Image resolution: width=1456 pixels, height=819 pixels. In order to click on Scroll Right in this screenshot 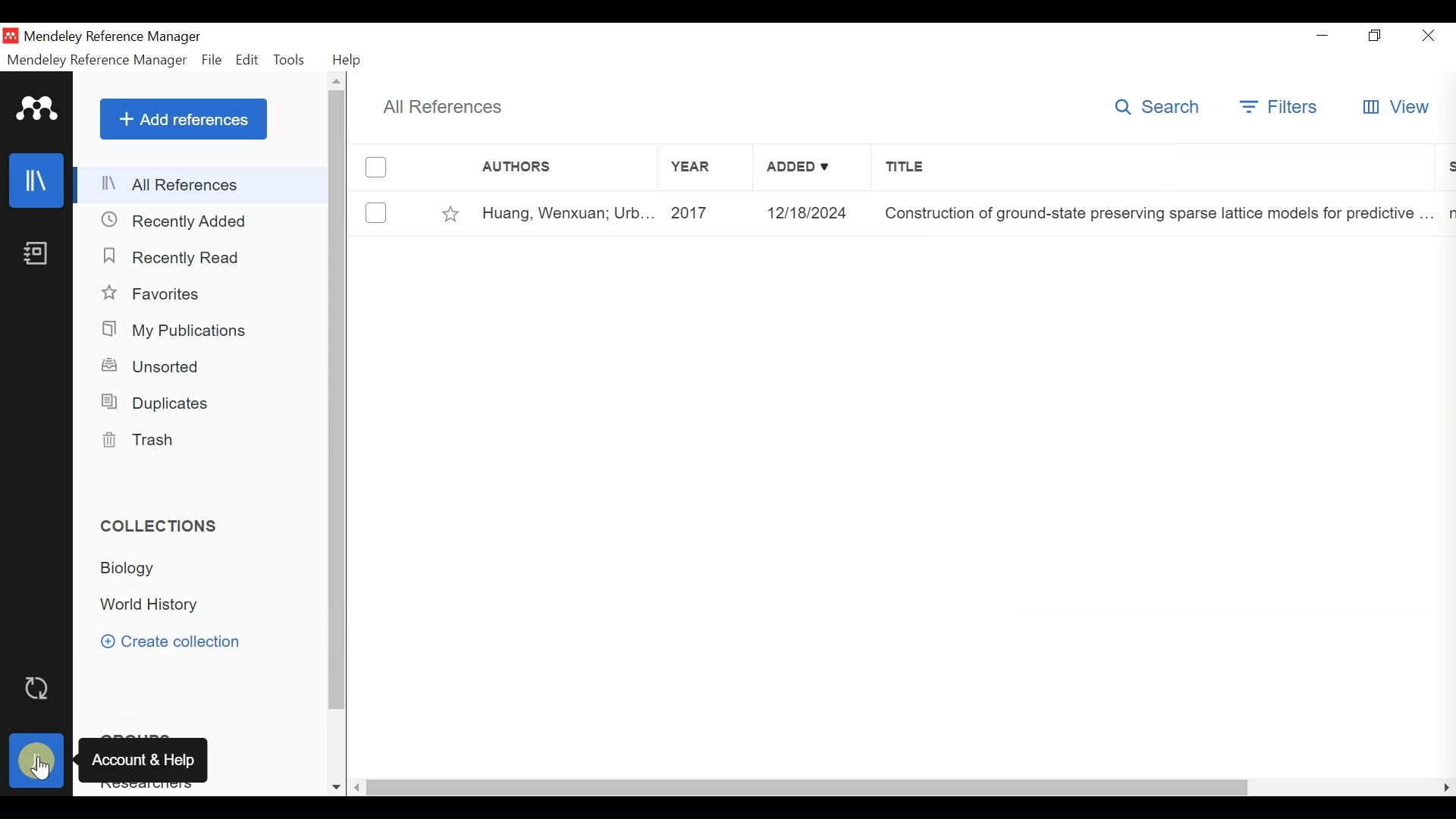, I will do `click(1447, 789)`.